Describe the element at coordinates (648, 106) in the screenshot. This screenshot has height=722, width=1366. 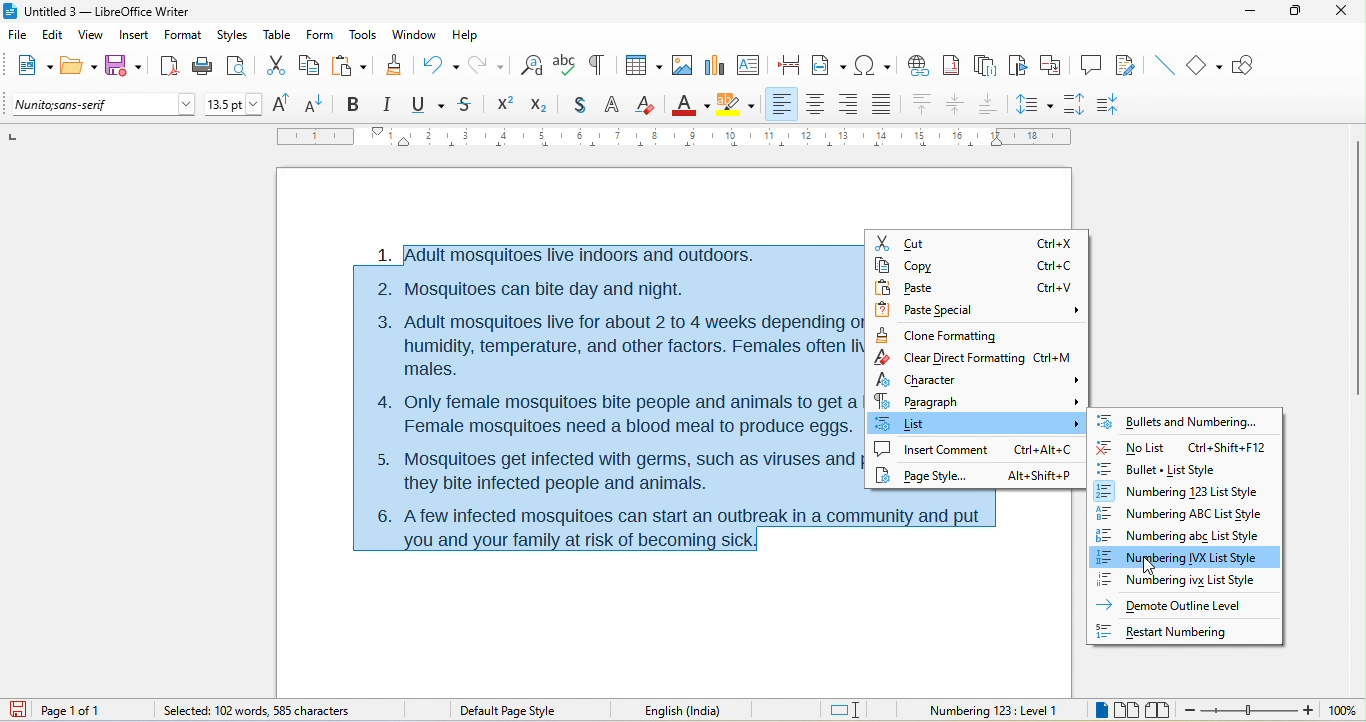
I see `clear direct formatting` at that location.